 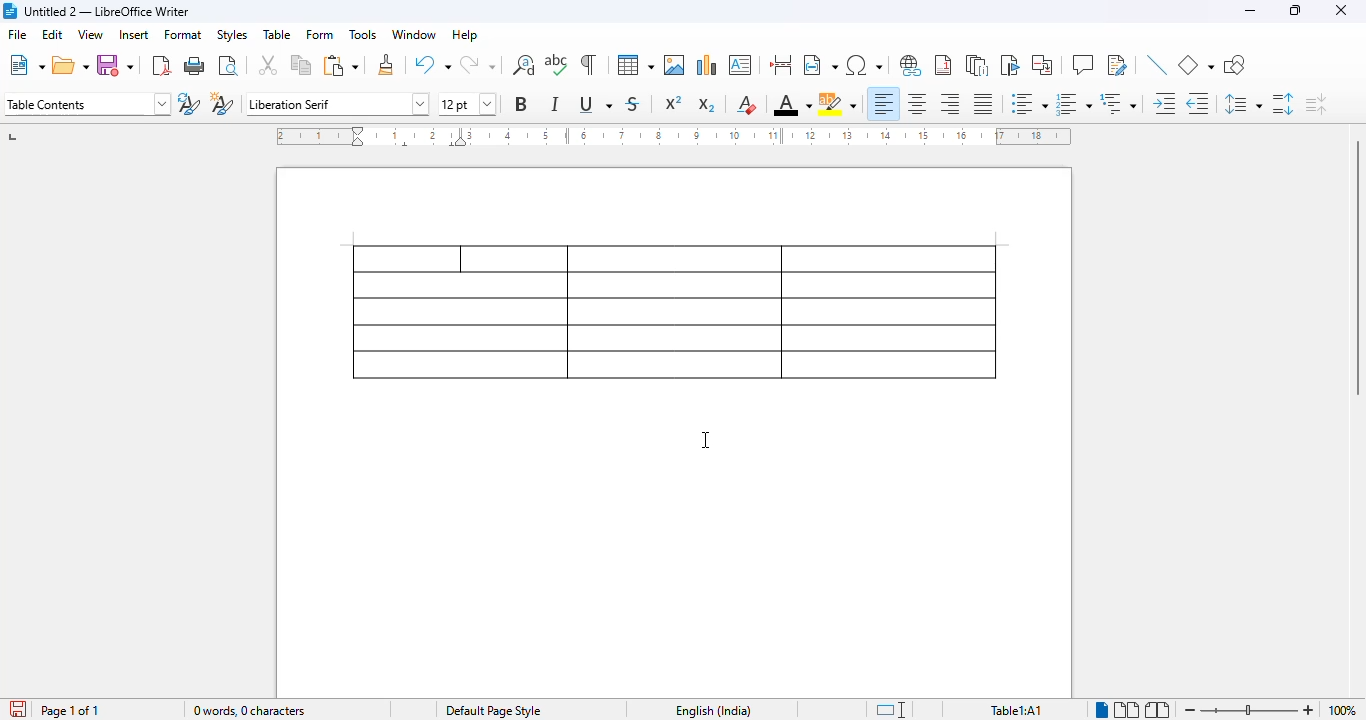 What do you see at coordinates (433, 64) in the screenshot?
I see `undo` at bounding box center [433, 64].